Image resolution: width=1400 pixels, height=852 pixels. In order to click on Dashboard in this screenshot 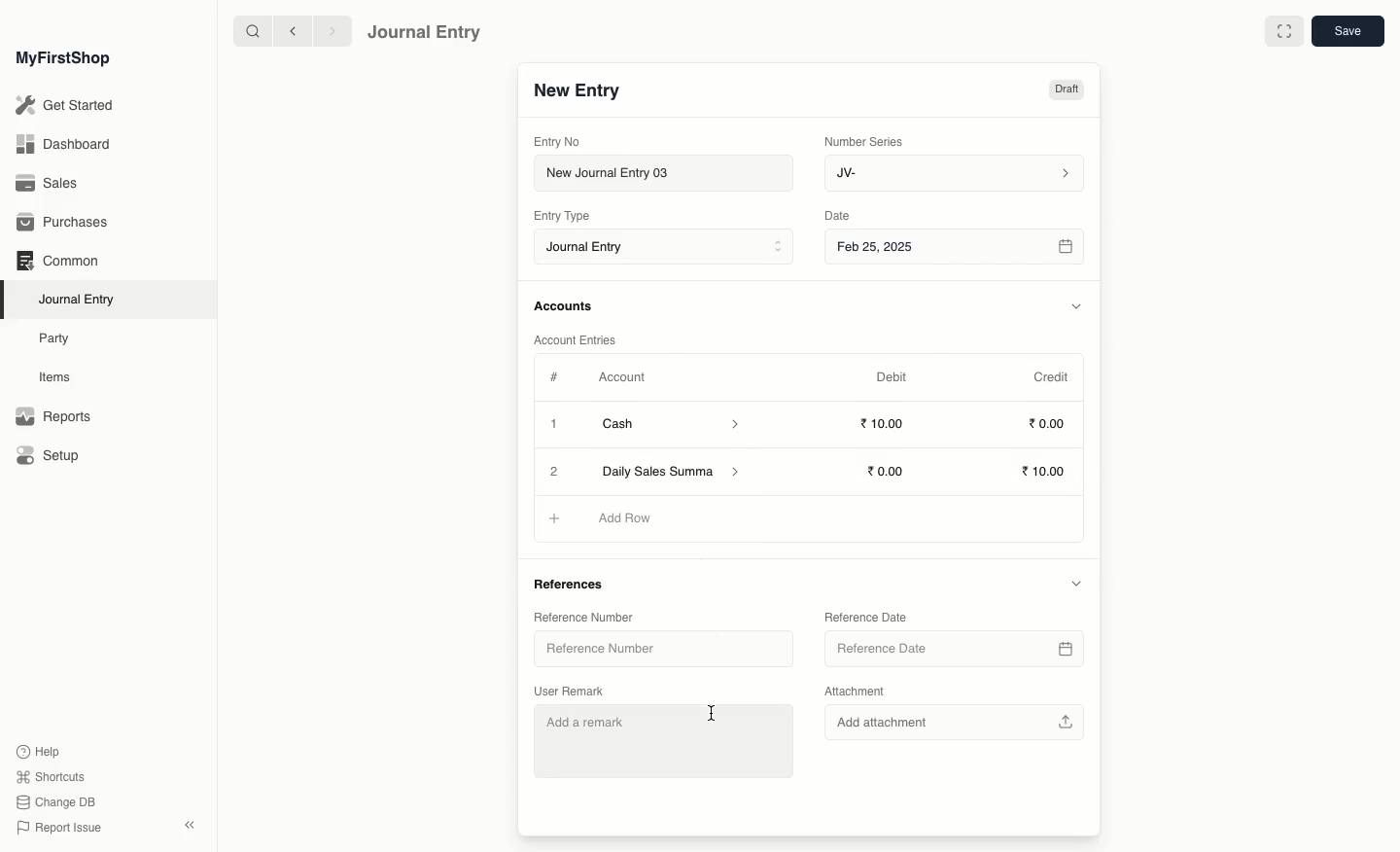, I will do `click(62, 143)`.